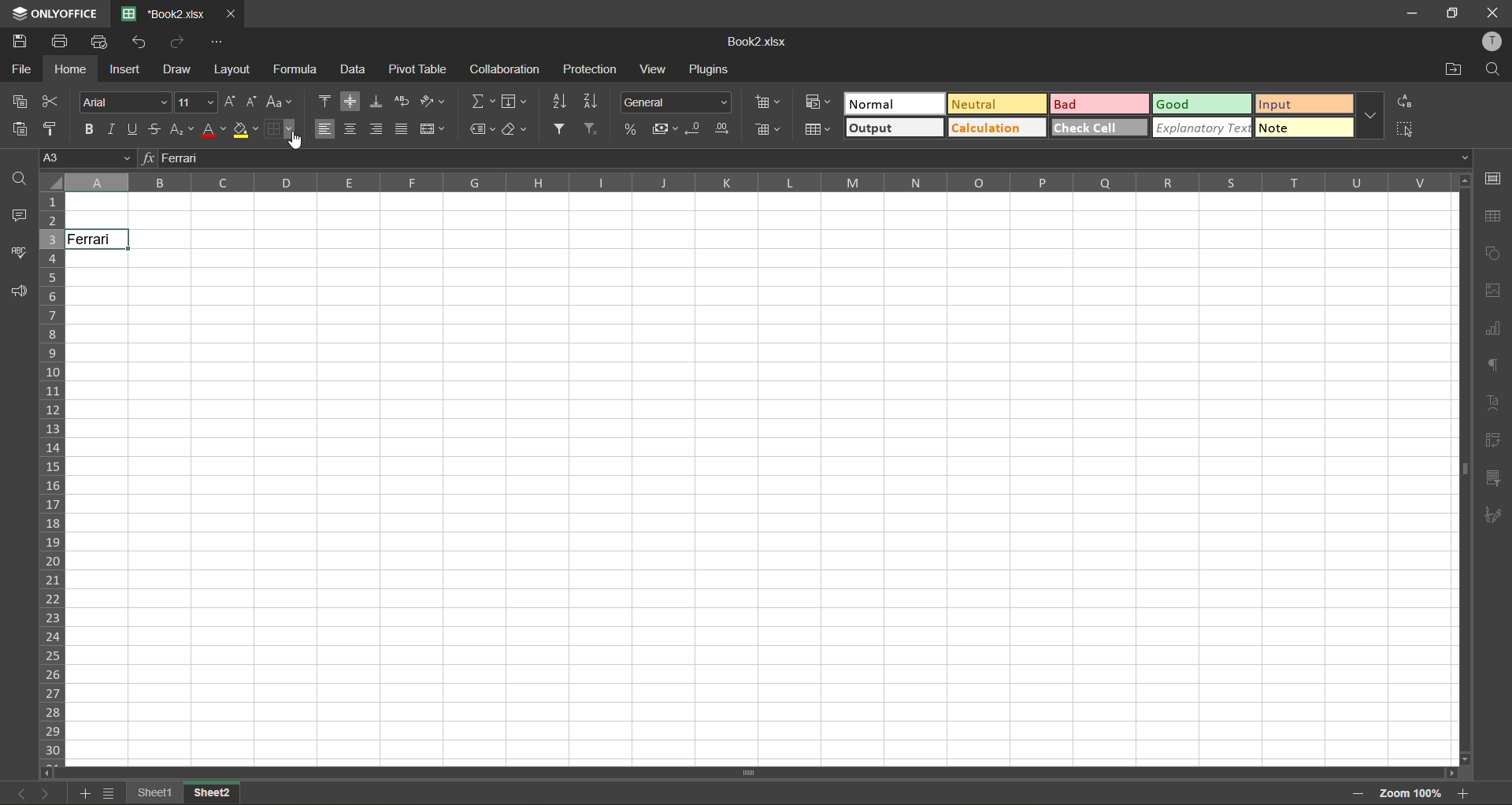 This screenshot has width=1512, height=805. What do you see at coordinates (761, 42) in the screenshot?
I see `Book2.xlsx` at bounding box center [761, 42].